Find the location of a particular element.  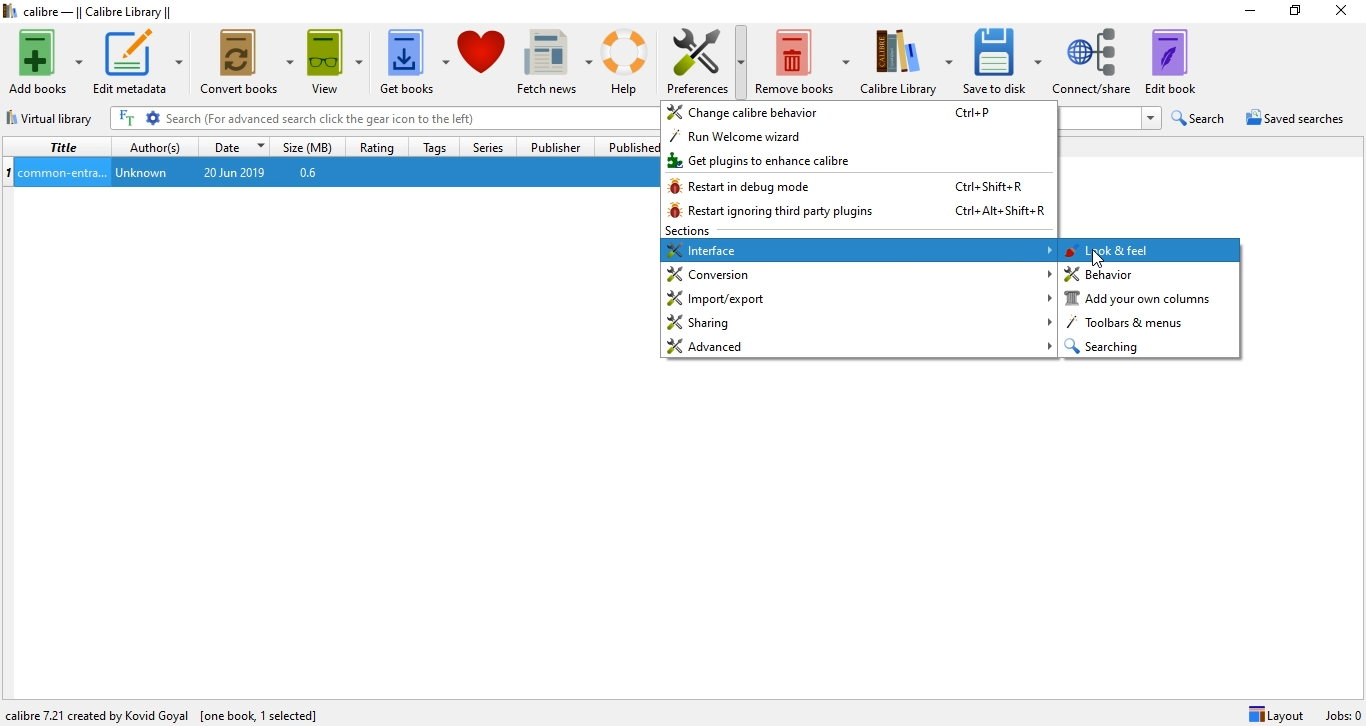

get plugins to enhance calibre is located at coordinates (858, 162).